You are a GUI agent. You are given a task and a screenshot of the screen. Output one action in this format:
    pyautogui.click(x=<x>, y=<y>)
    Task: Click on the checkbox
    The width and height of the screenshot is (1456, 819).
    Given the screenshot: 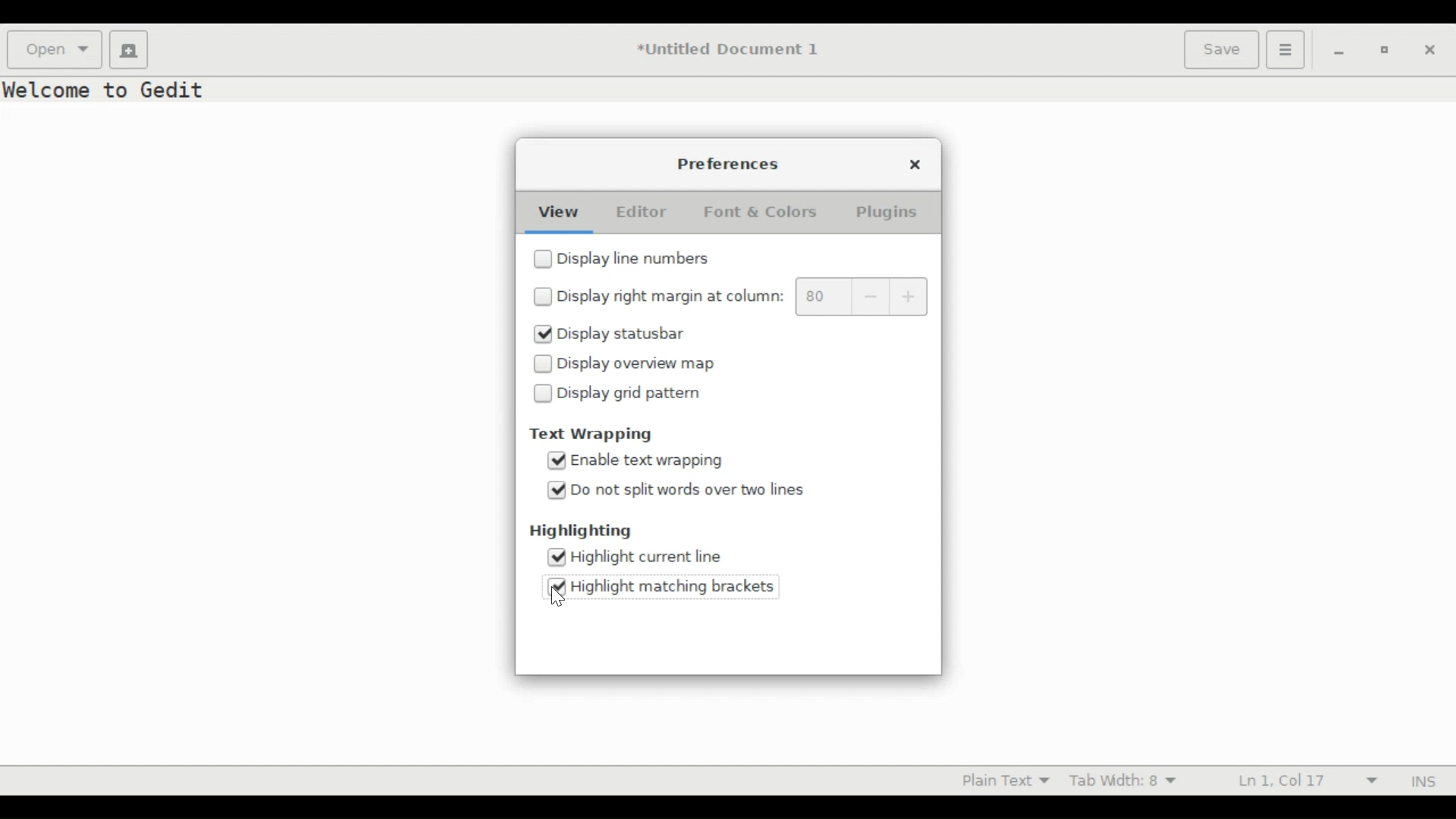 What is the action you would take?
    pyautogui.click(x=544, y=365)
    